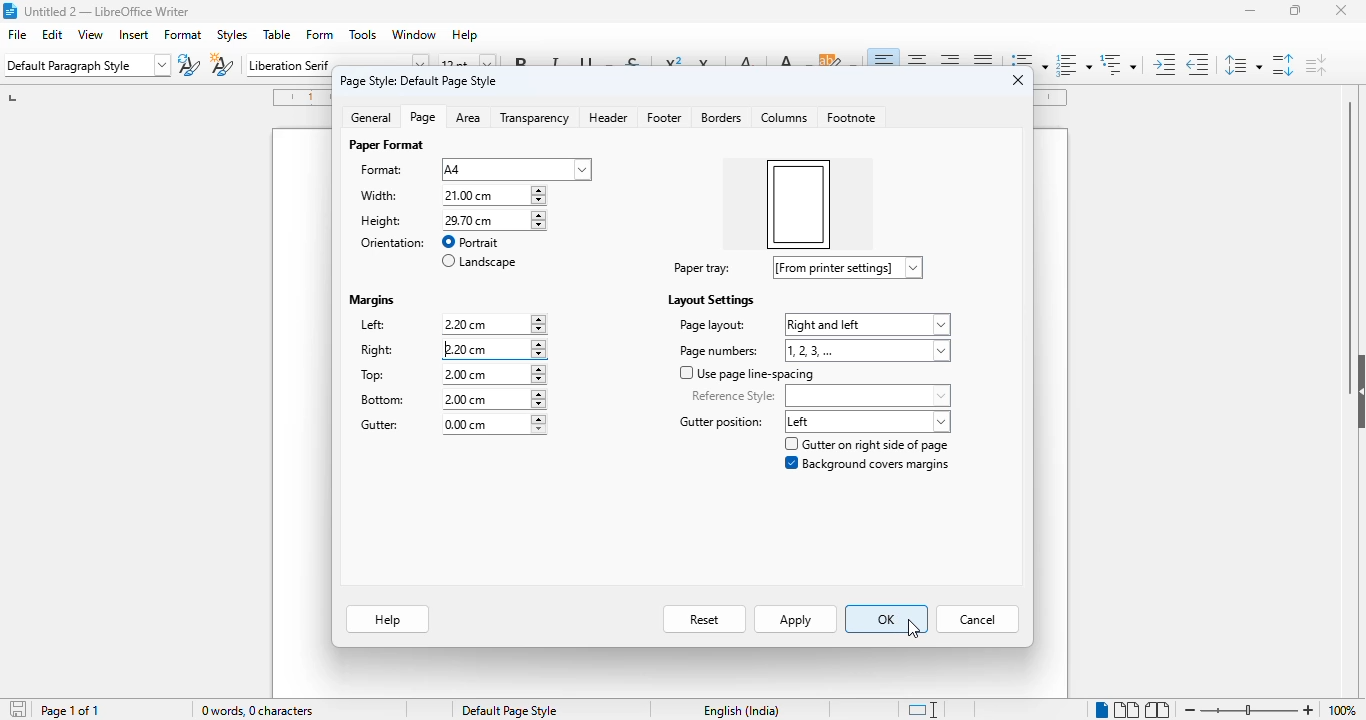  What do you see at coordinates (1159, 709) in the screenshot?
I see `book view` at bounding box center [1159, 709].